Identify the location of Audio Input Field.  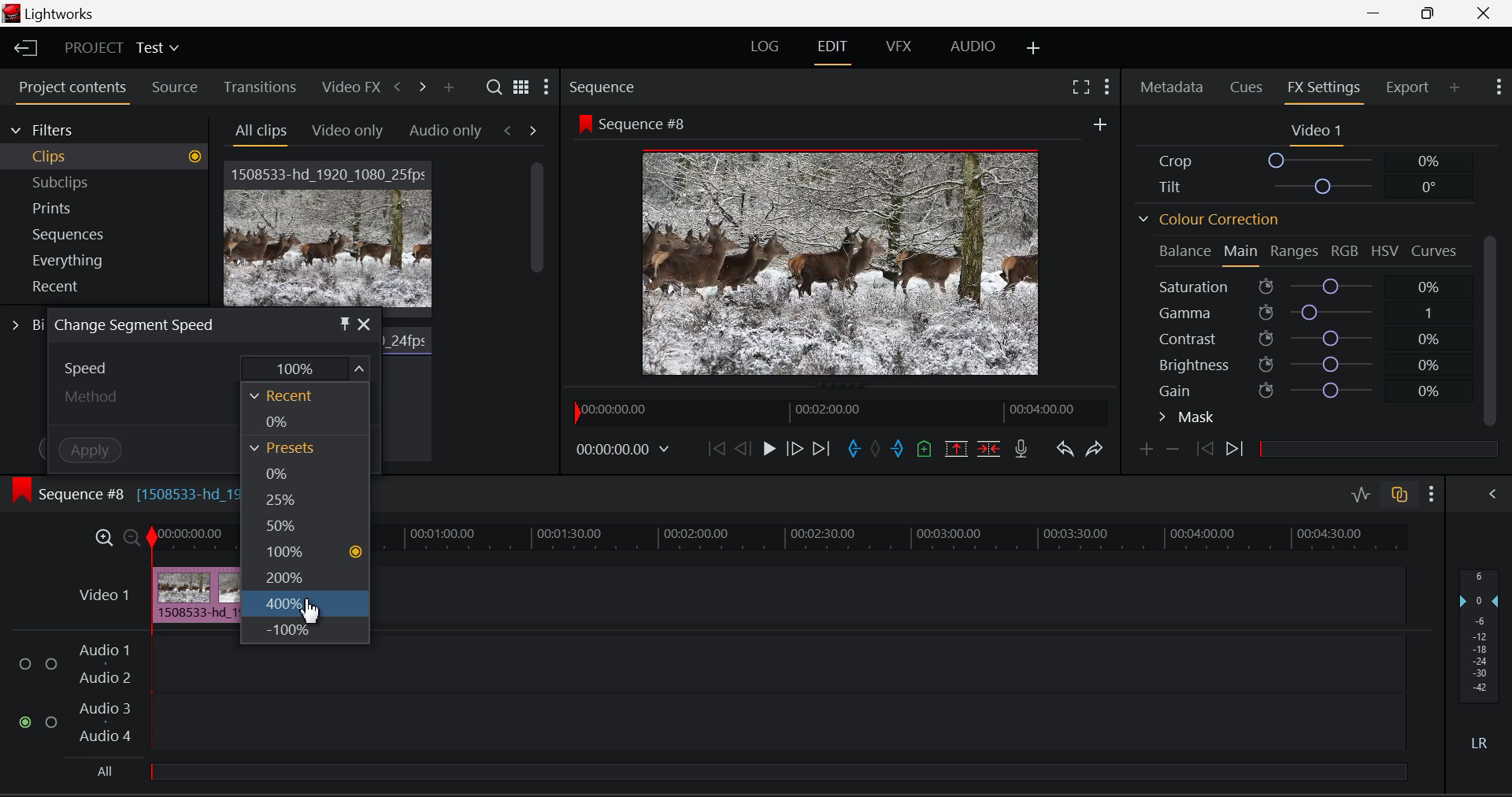
(776, 722).